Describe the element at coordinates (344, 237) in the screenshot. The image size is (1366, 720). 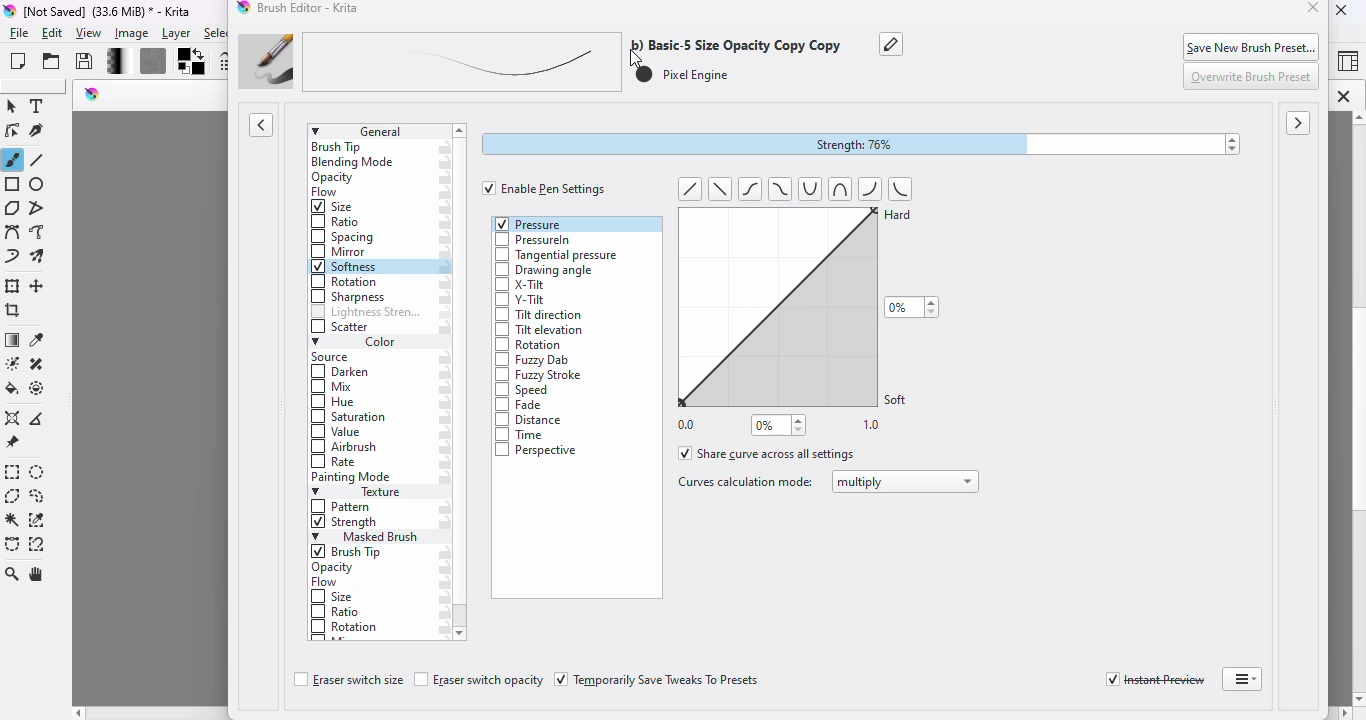
I see `spacing` at that location.